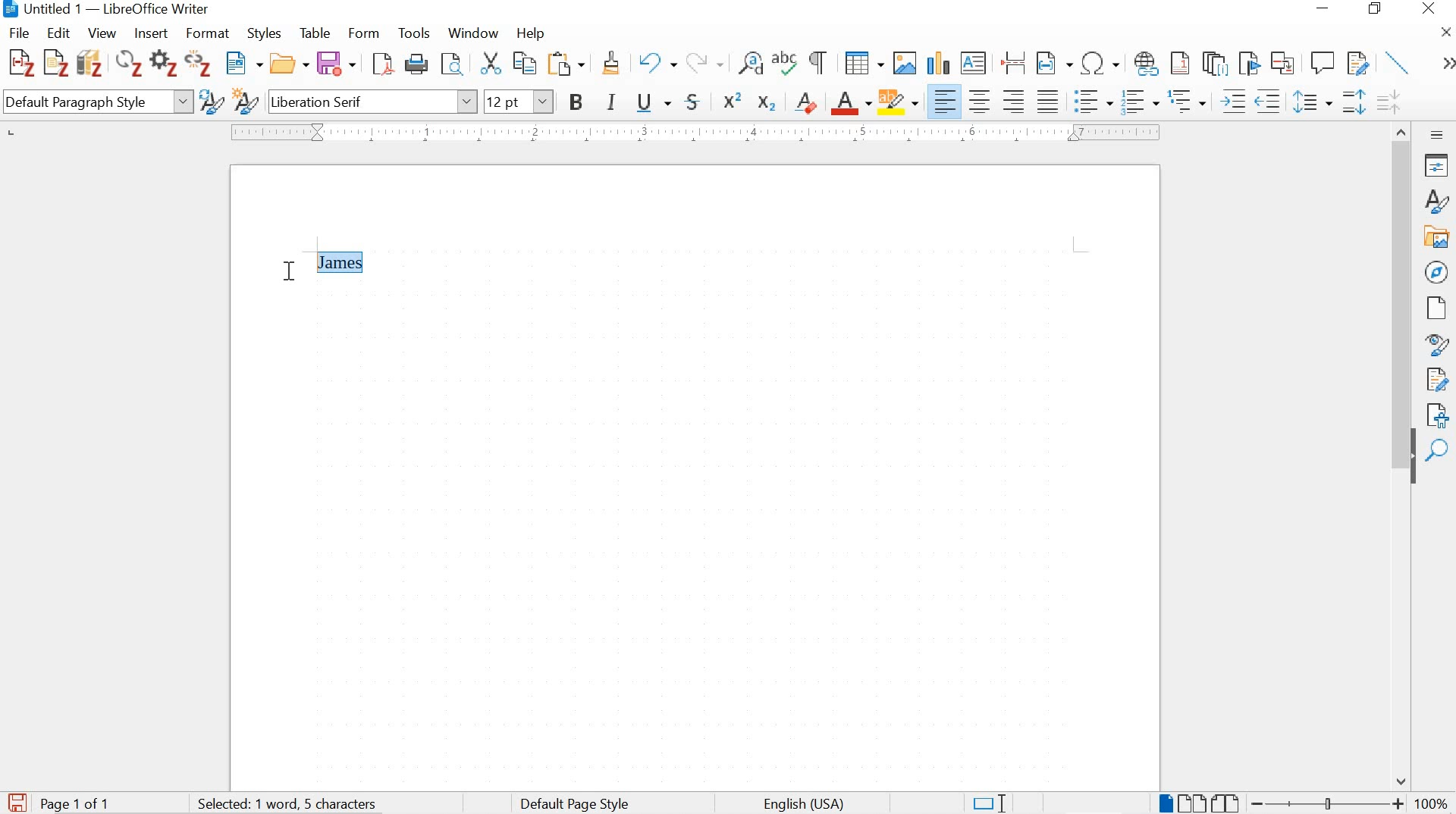 The height and width of the screenshot is (814, 1456). Describe the element at coordinates (372, 101) in the screenshot. I see `font name` at that location.